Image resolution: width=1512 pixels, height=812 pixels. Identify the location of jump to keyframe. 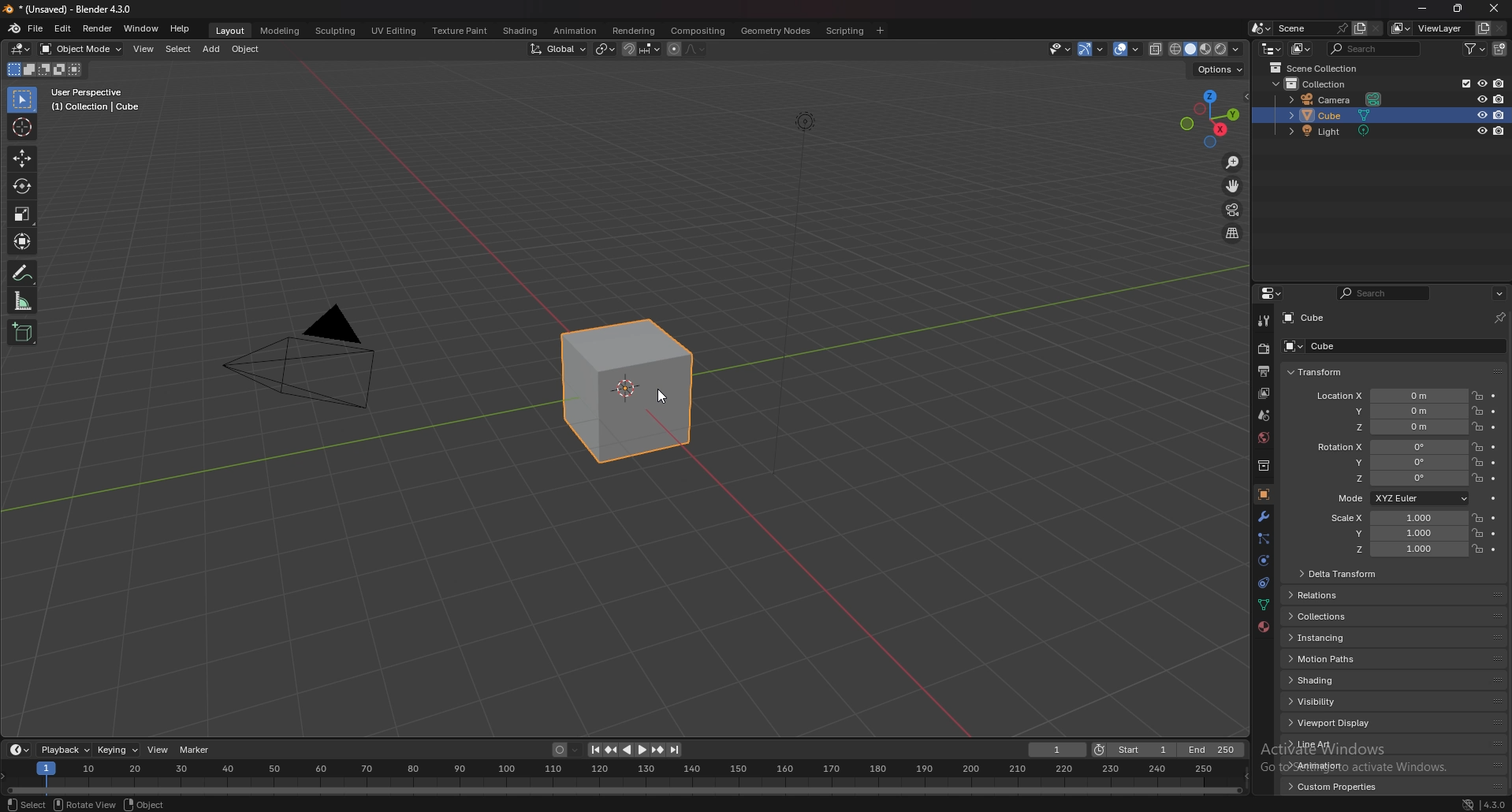
(657, 749).